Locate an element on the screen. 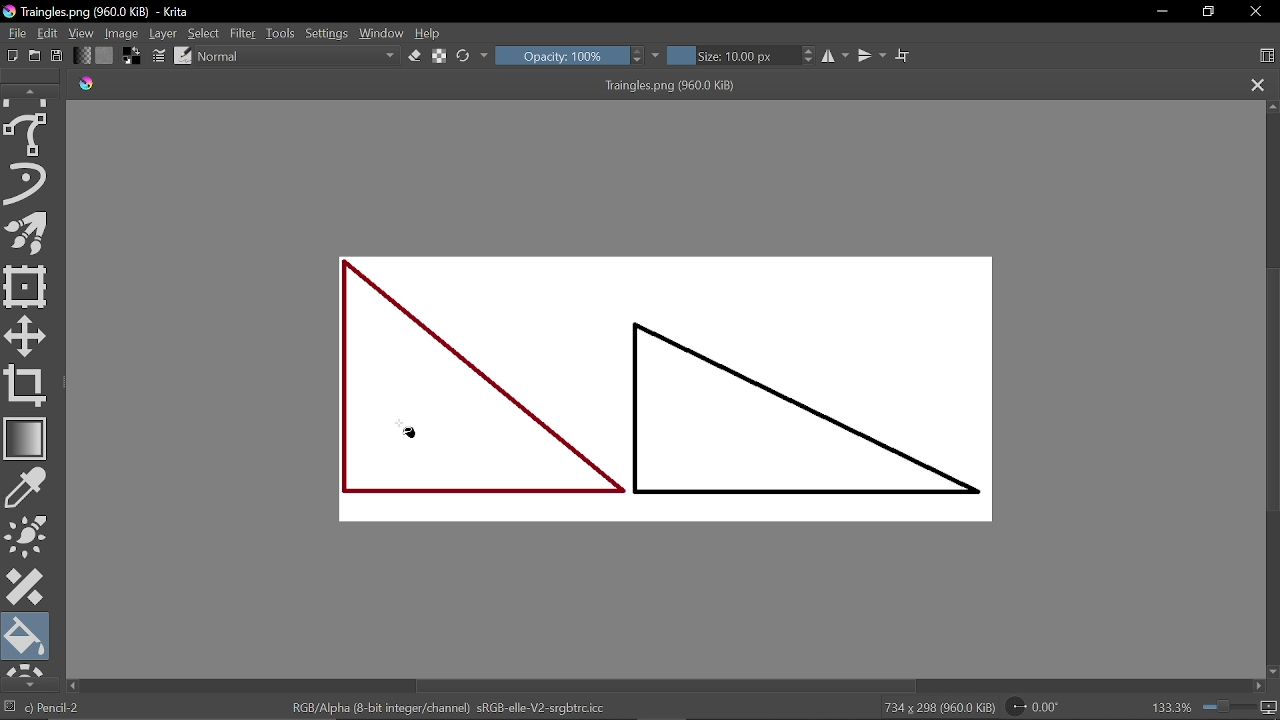 This screenshot has width=1280, height=720. app icon is located at coordinates (87, 85).